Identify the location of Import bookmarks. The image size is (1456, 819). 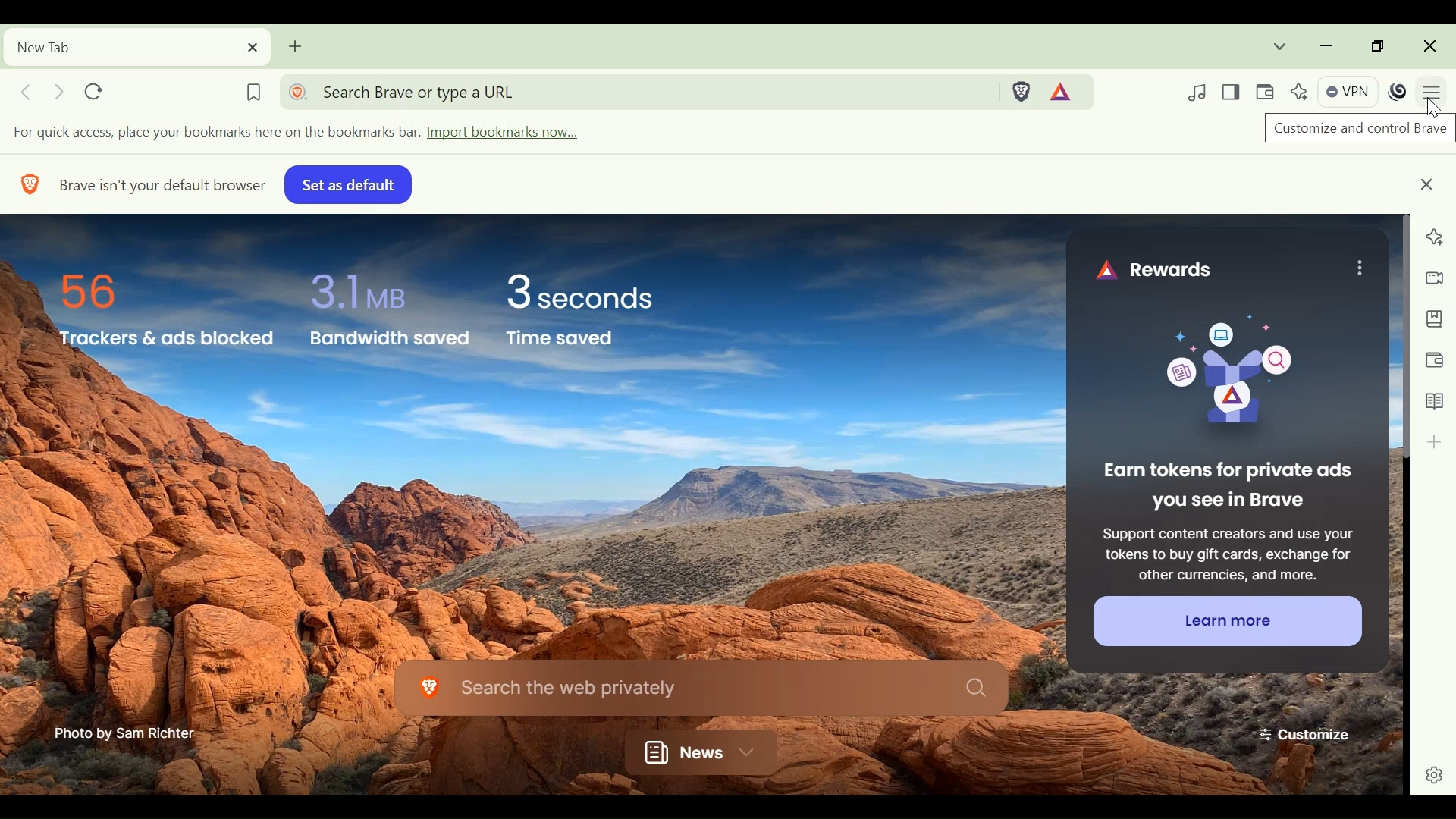
(310, 133).